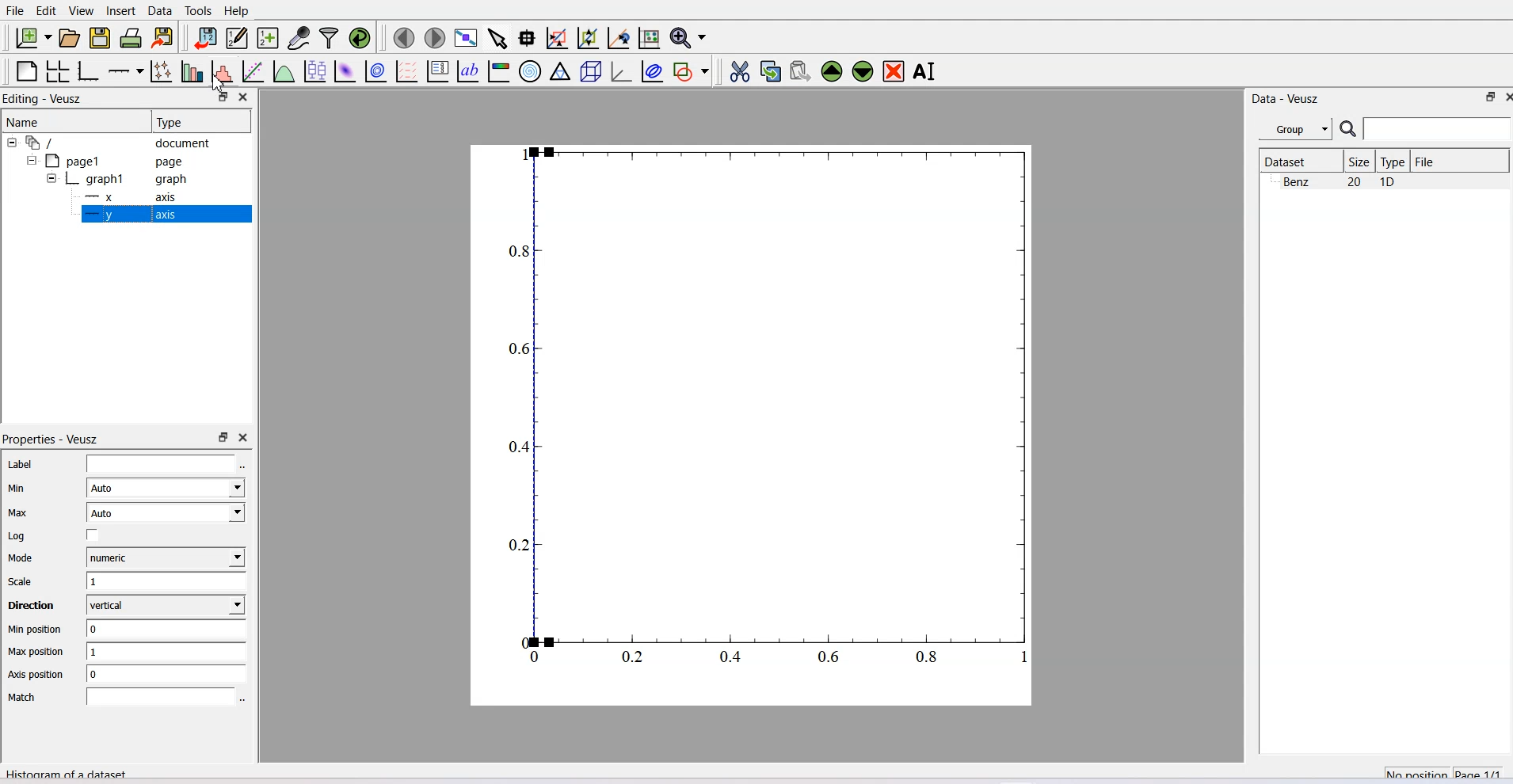 This screenshot has width=1513, height=784. What do you see at coordinates (160, 11) in the screenshot?
I see `Data` at bounding box center [160, 11].